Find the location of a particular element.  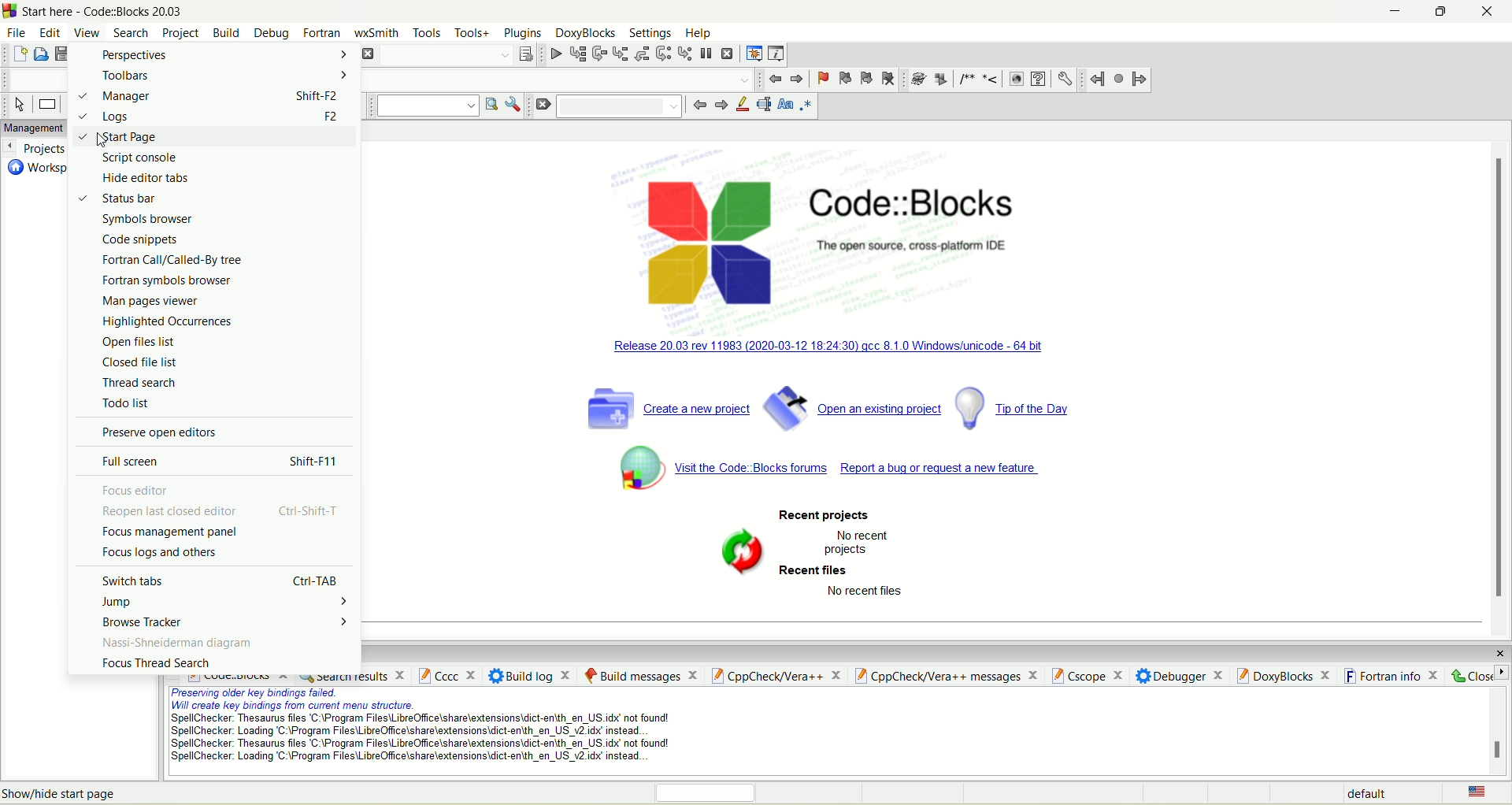

text search is located at coordinates (424, 108).